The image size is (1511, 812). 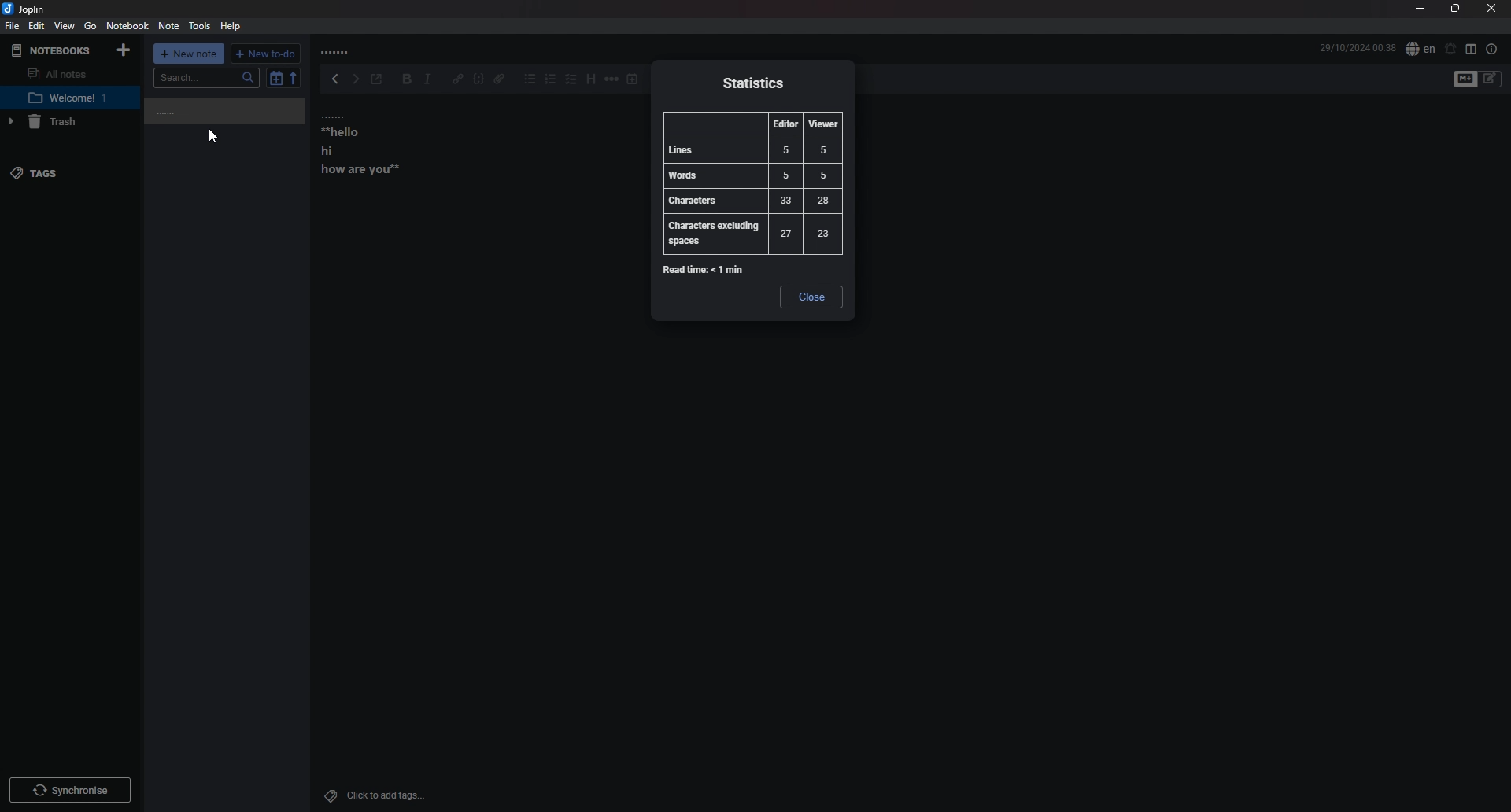 I want to click on Toggle editor layout, so click(x=1471, y=50).